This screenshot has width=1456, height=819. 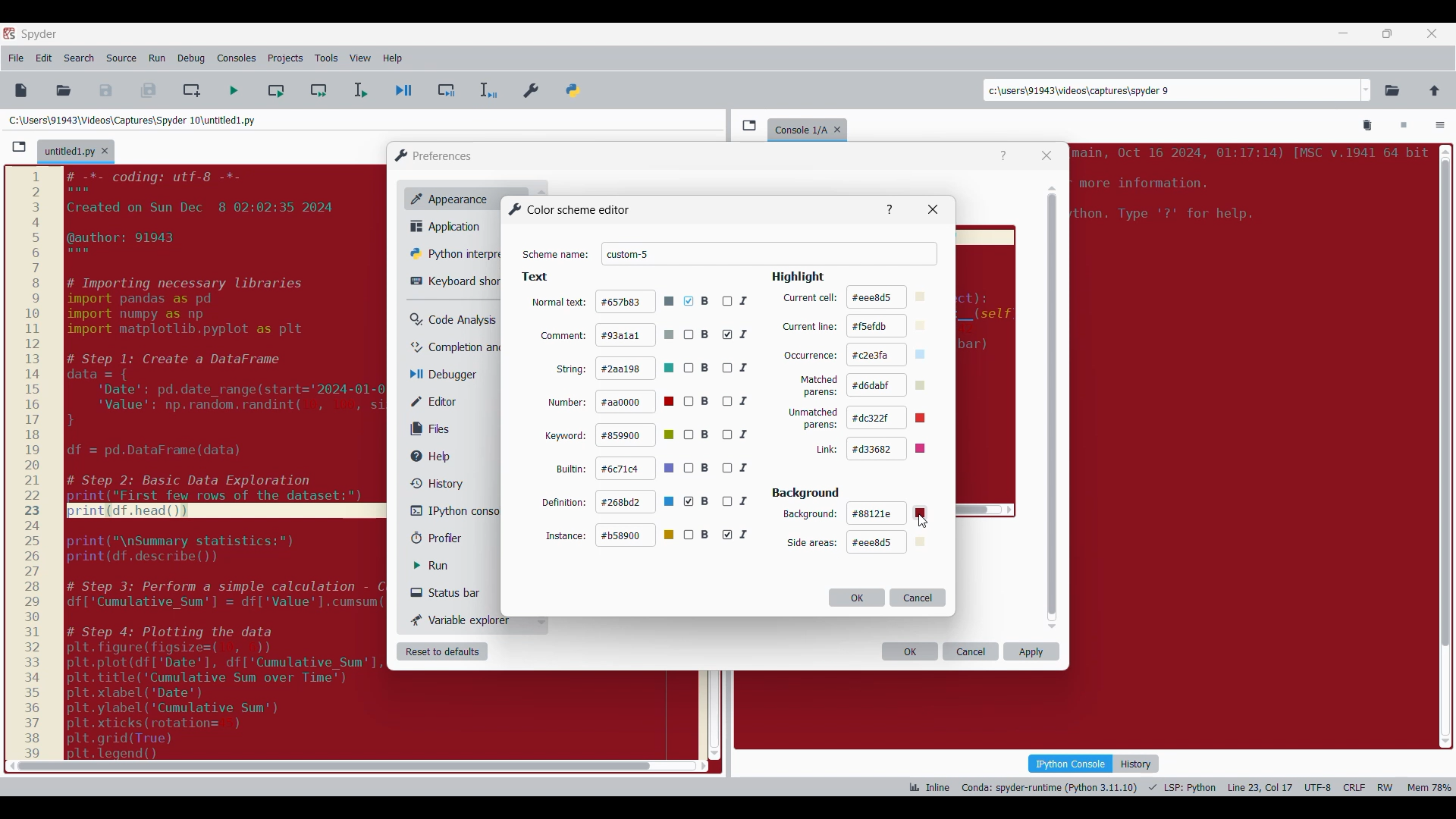 I want to click on Respective section title, so click(x=675, y=278).